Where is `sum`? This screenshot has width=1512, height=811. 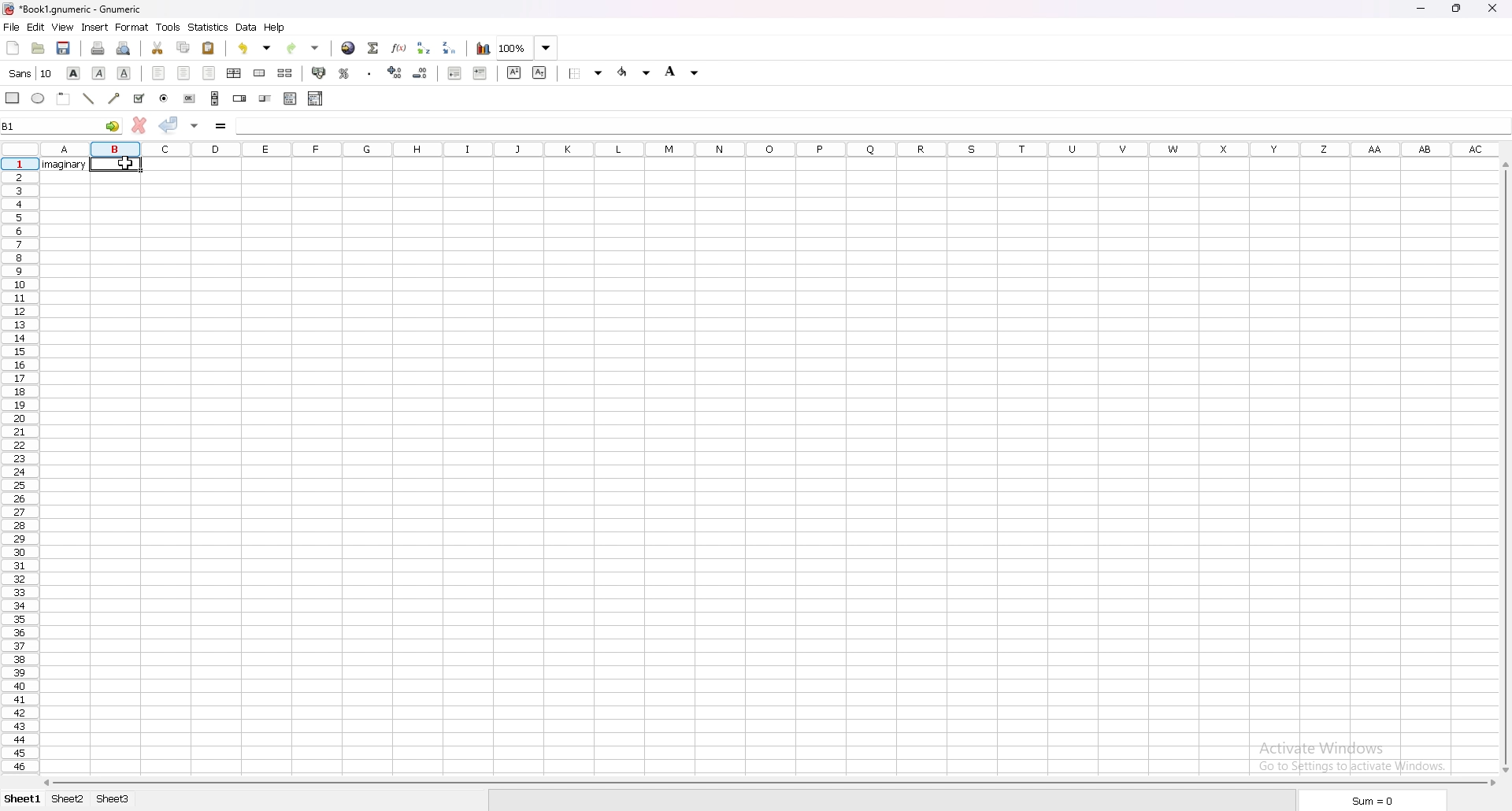
sum is located at coordinates (1368, 801).